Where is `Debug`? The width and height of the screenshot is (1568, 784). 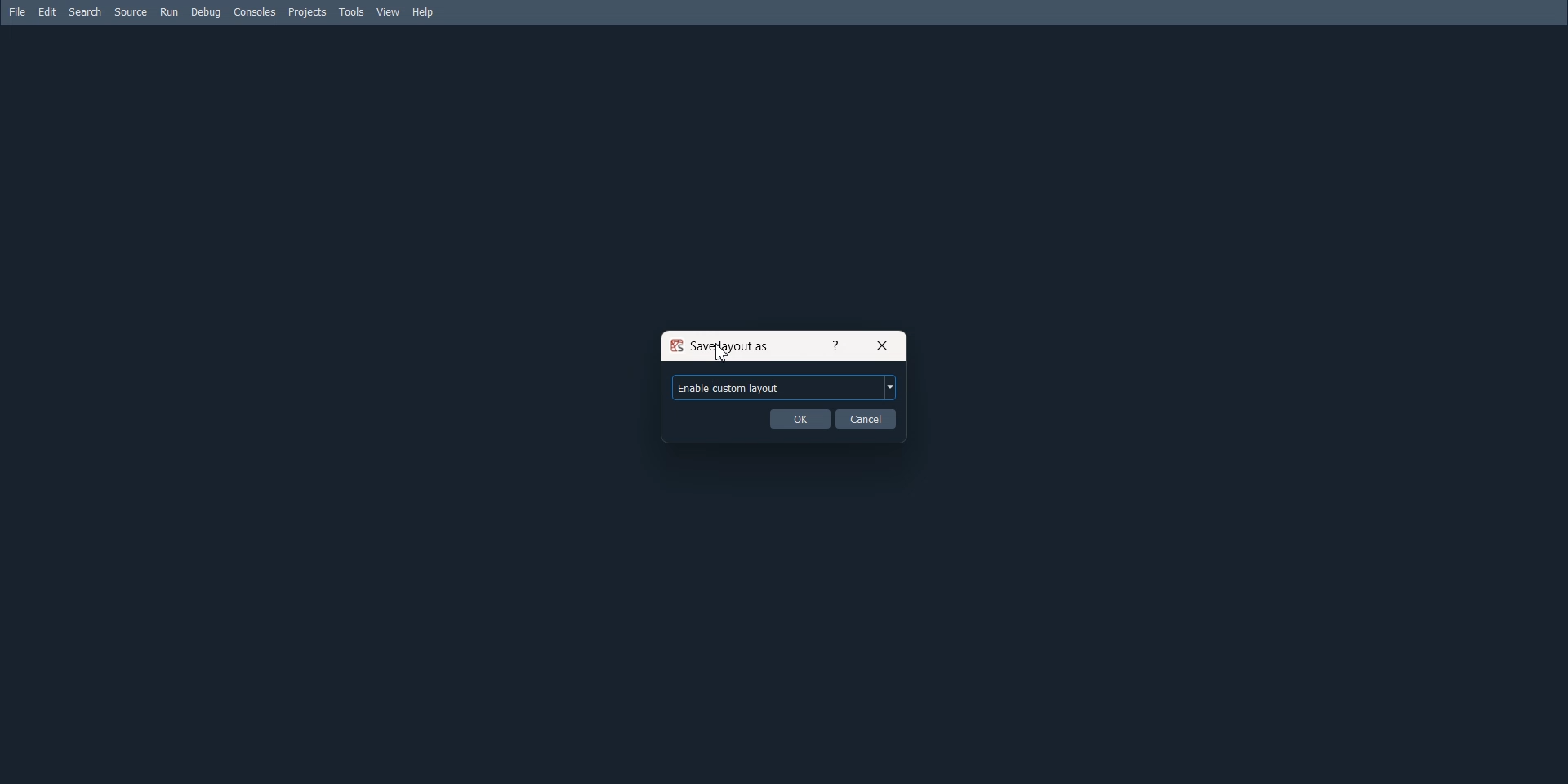 Debug is located at coordinates (206, 12).